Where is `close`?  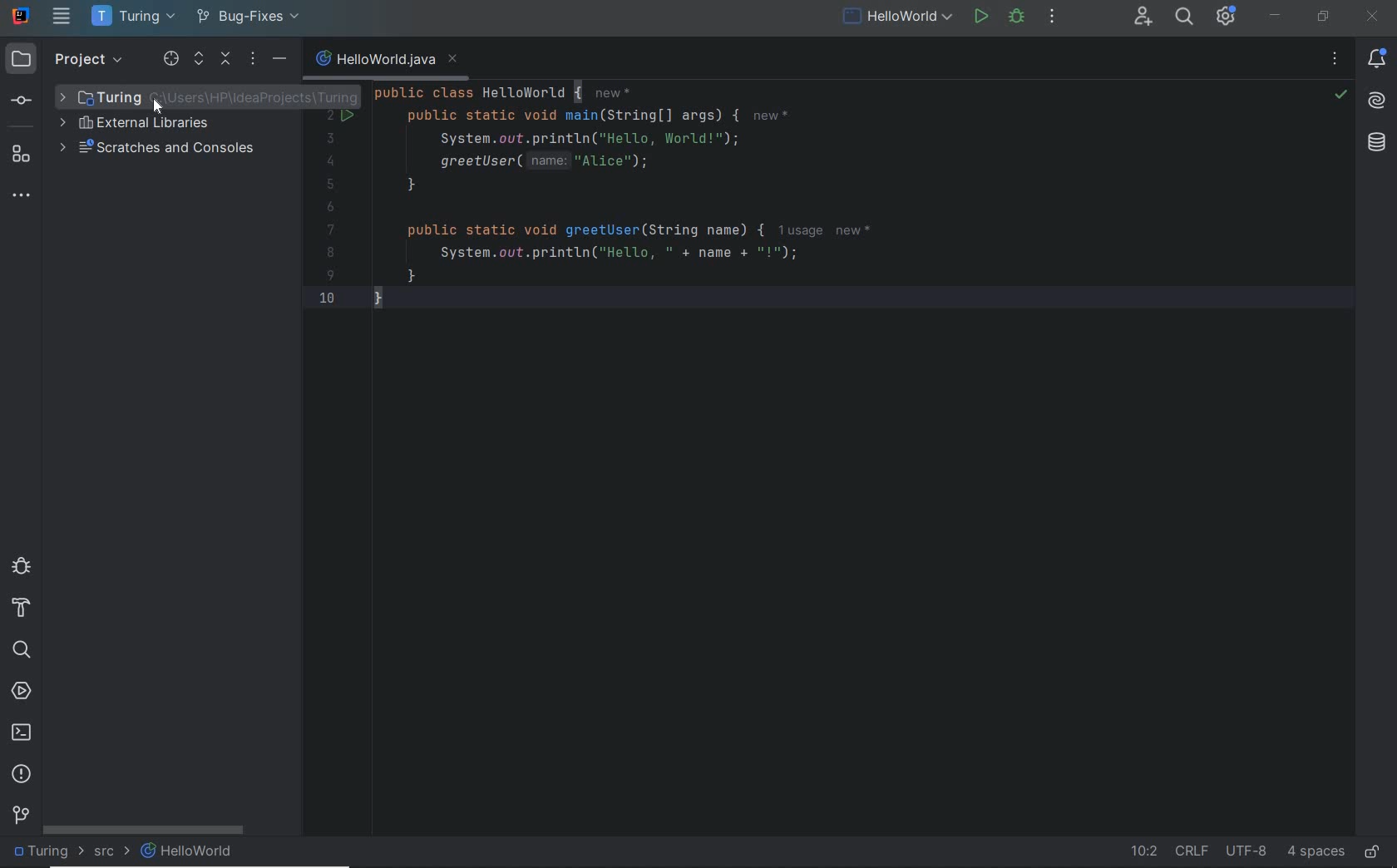
close is located at coordinates (1372, 17).